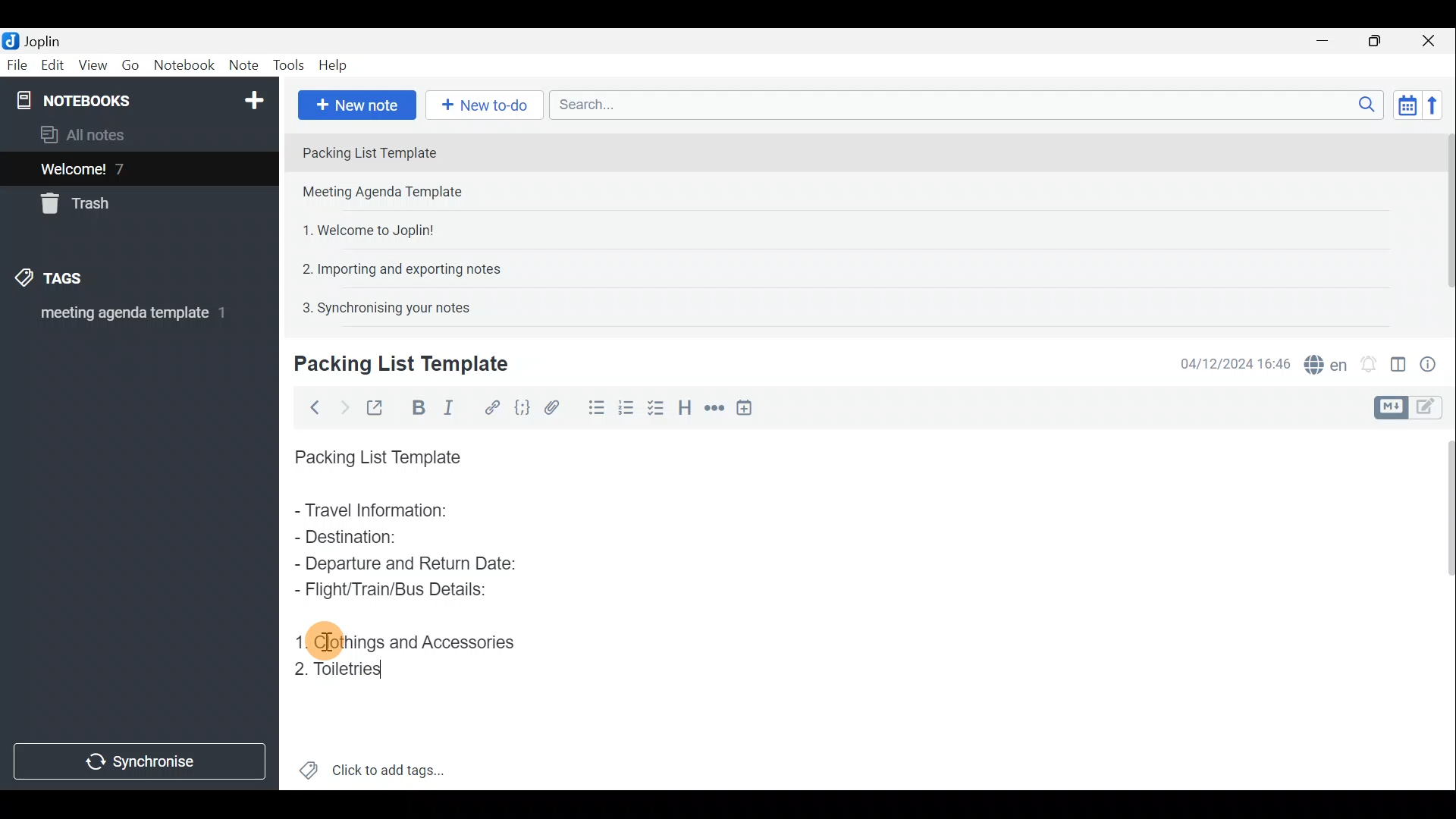  Describe the element at coordinates (962, 106) in the screenshot. I see `Search bar` at that location.